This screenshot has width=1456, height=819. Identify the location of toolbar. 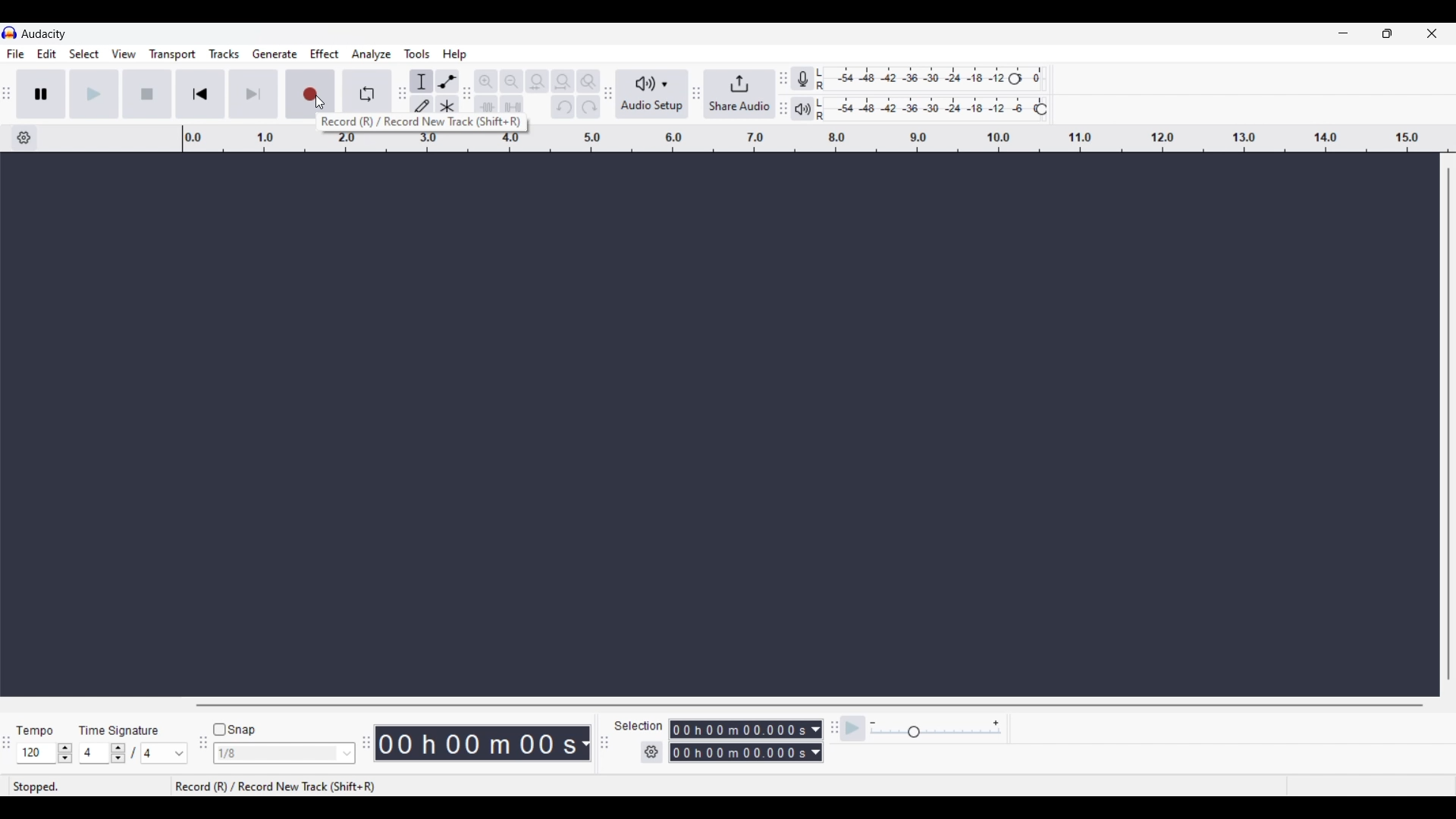
(697, 93).